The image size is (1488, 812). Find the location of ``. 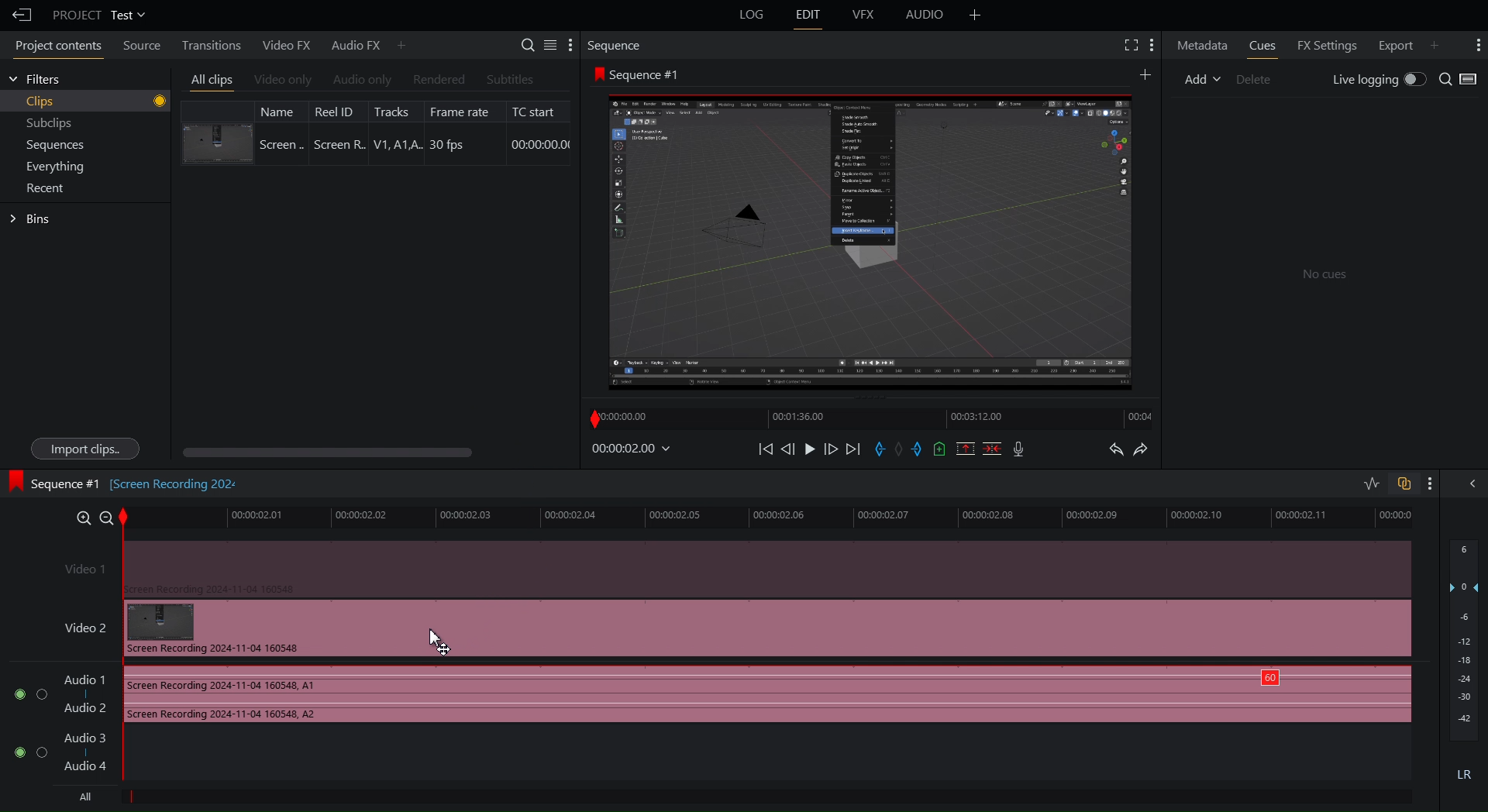

 is located at coordinates (60, 166).